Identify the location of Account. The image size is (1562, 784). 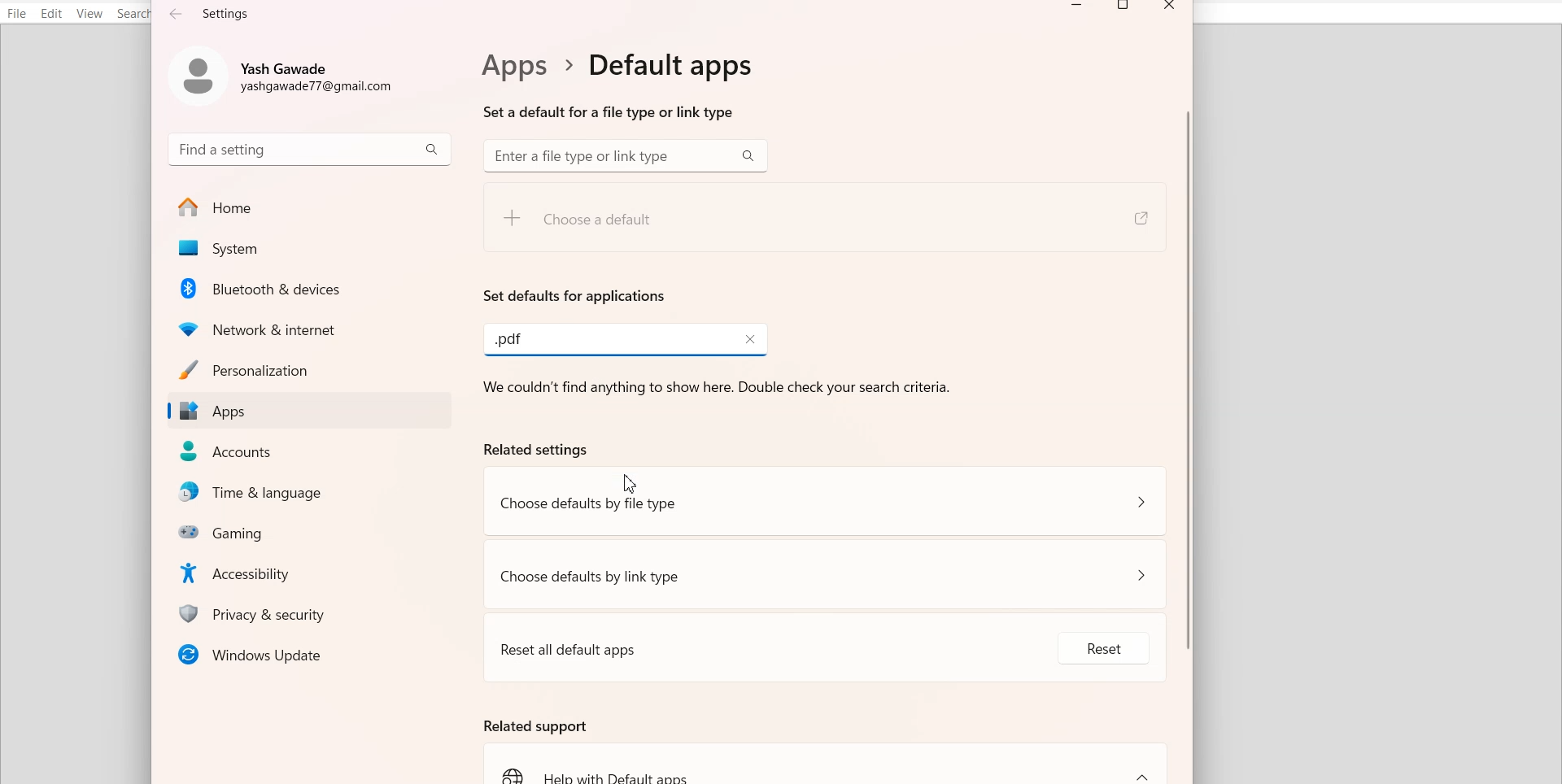
(287, 73).